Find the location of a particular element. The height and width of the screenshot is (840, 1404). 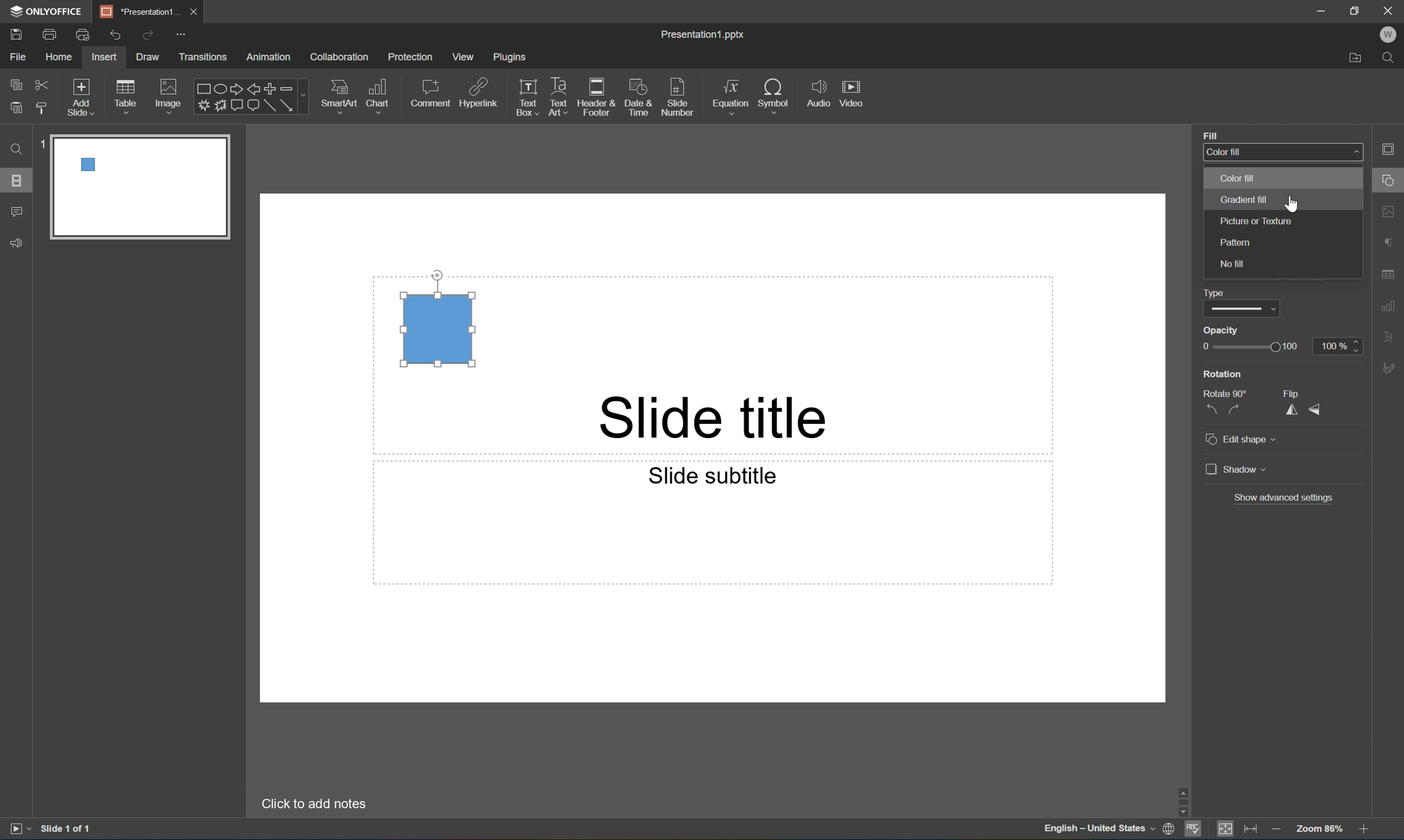

Comment is located at coordinates (432, 93).